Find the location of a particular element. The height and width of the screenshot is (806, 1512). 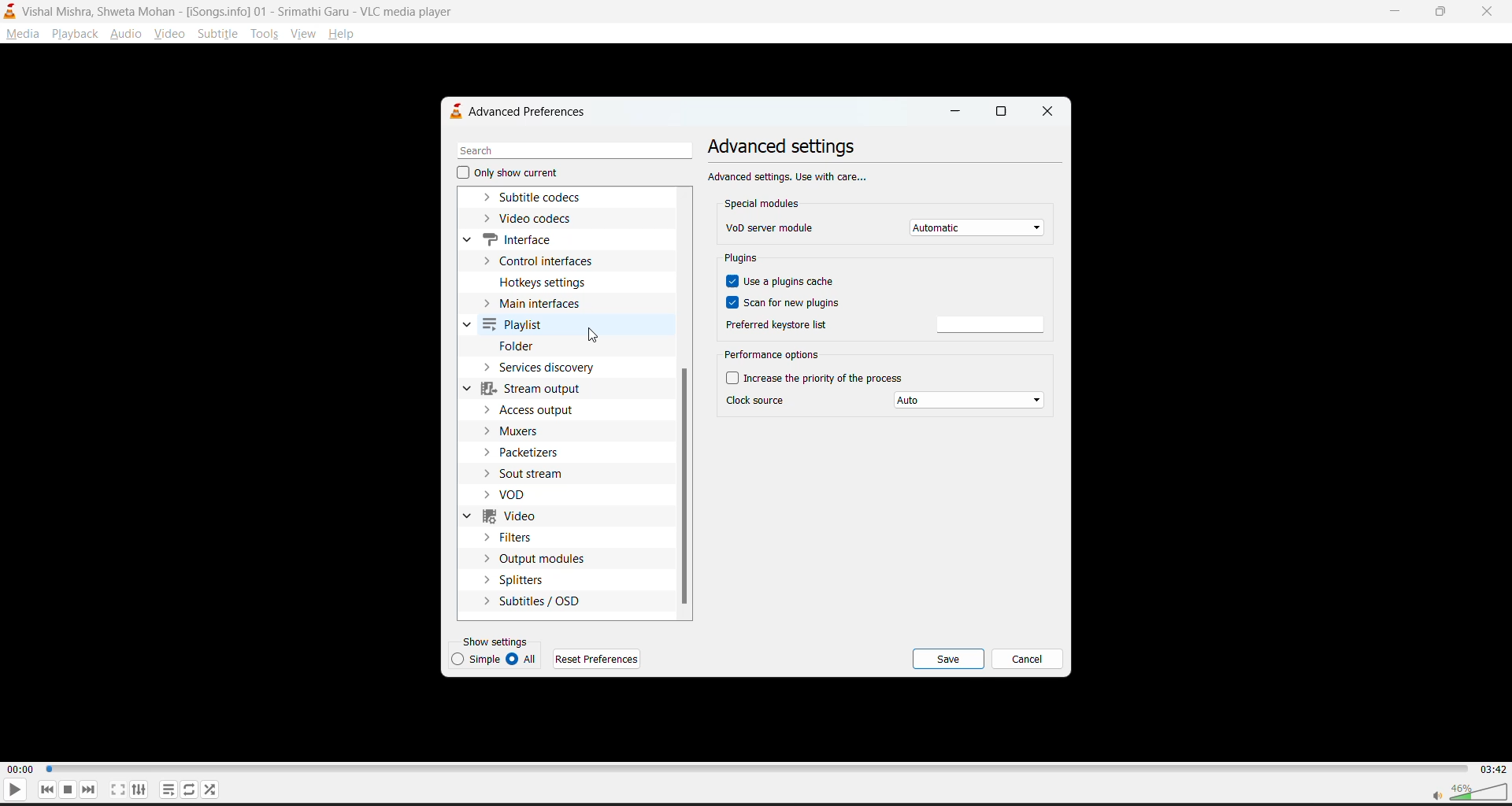

splitters is located at coordinates (517, 580).